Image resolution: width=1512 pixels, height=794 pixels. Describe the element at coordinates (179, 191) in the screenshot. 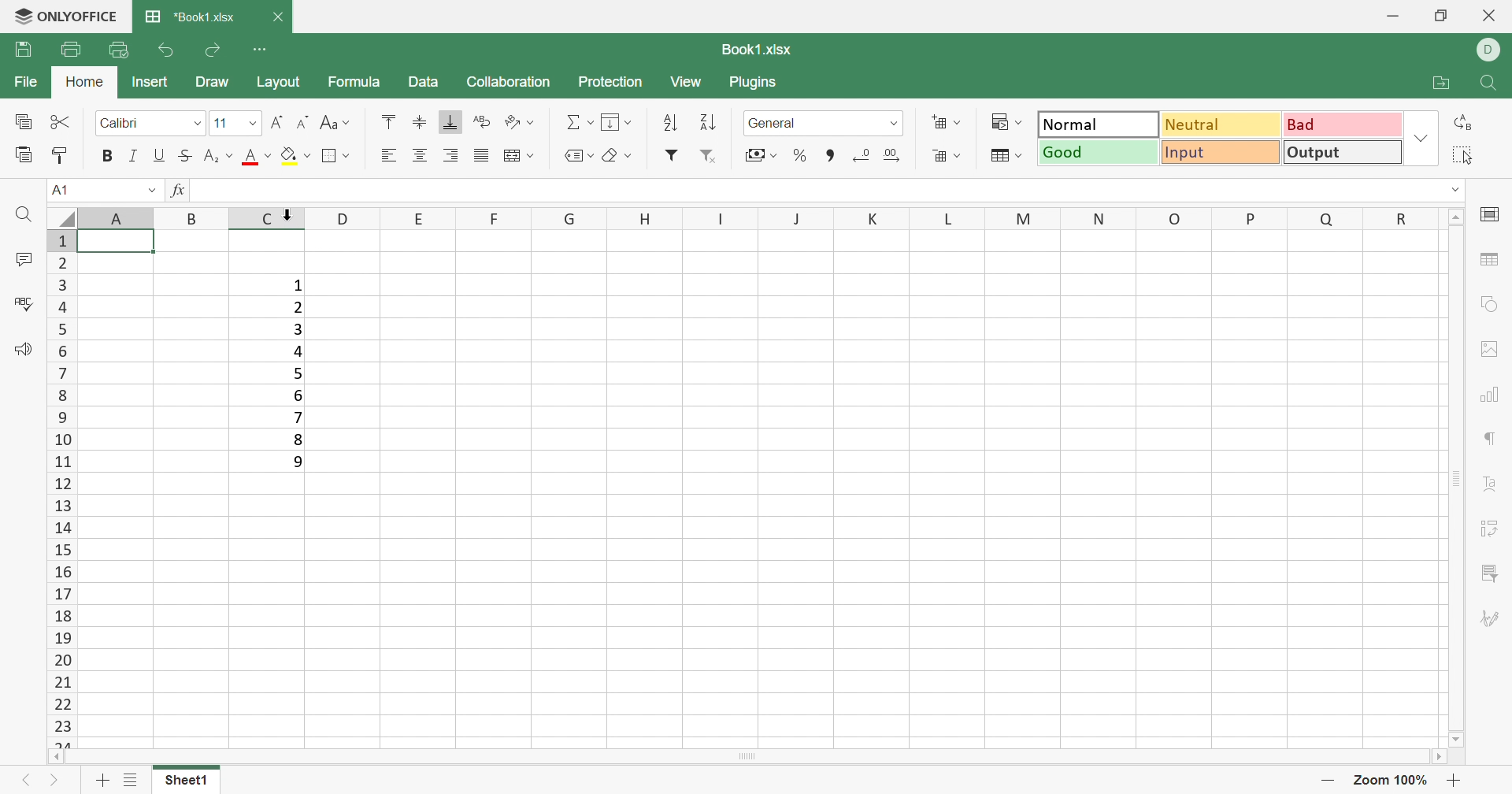

I see `fx` at that location.